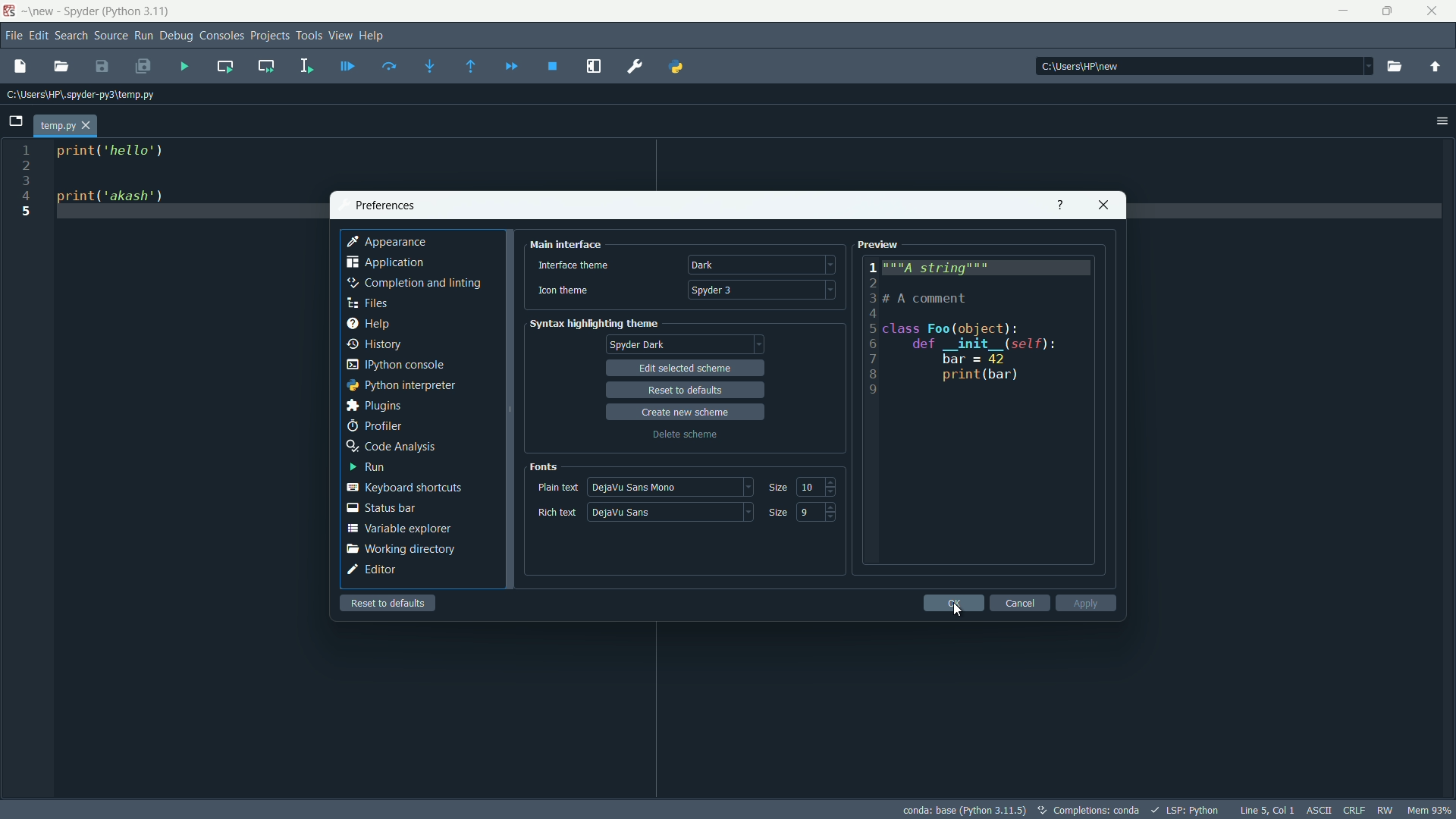  I want to click on save file, so click(102, 65).